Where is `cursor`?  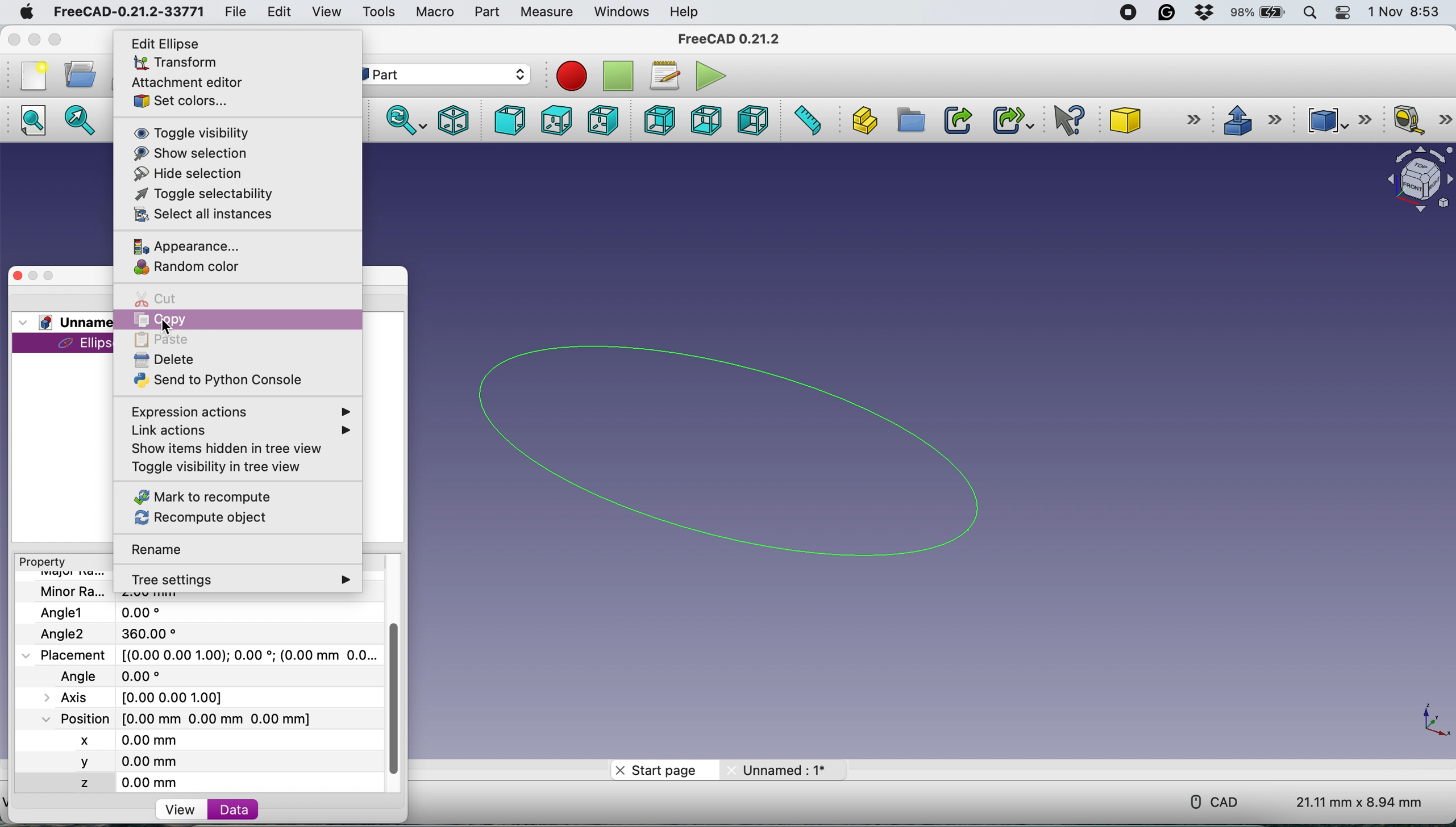 cursor is located at coordinates (169, 328).